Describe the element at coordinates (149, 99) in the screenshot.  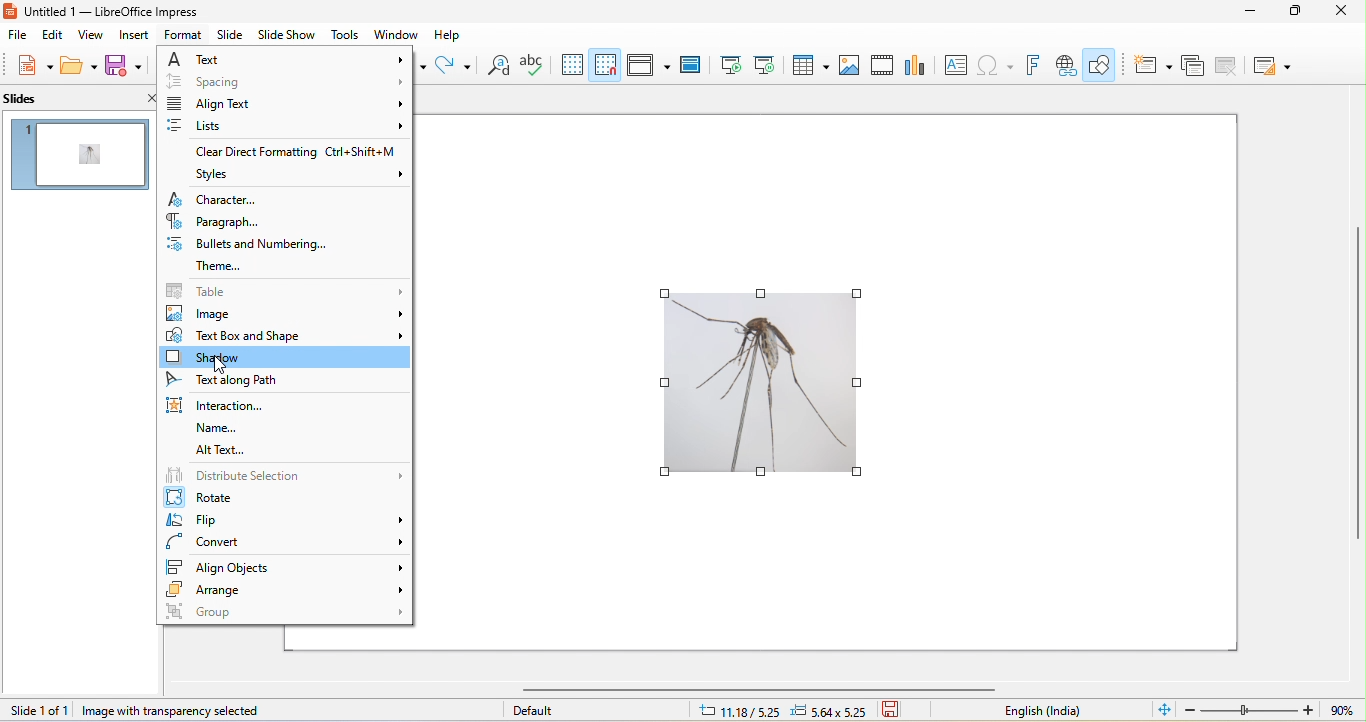
I see `close` at that location.